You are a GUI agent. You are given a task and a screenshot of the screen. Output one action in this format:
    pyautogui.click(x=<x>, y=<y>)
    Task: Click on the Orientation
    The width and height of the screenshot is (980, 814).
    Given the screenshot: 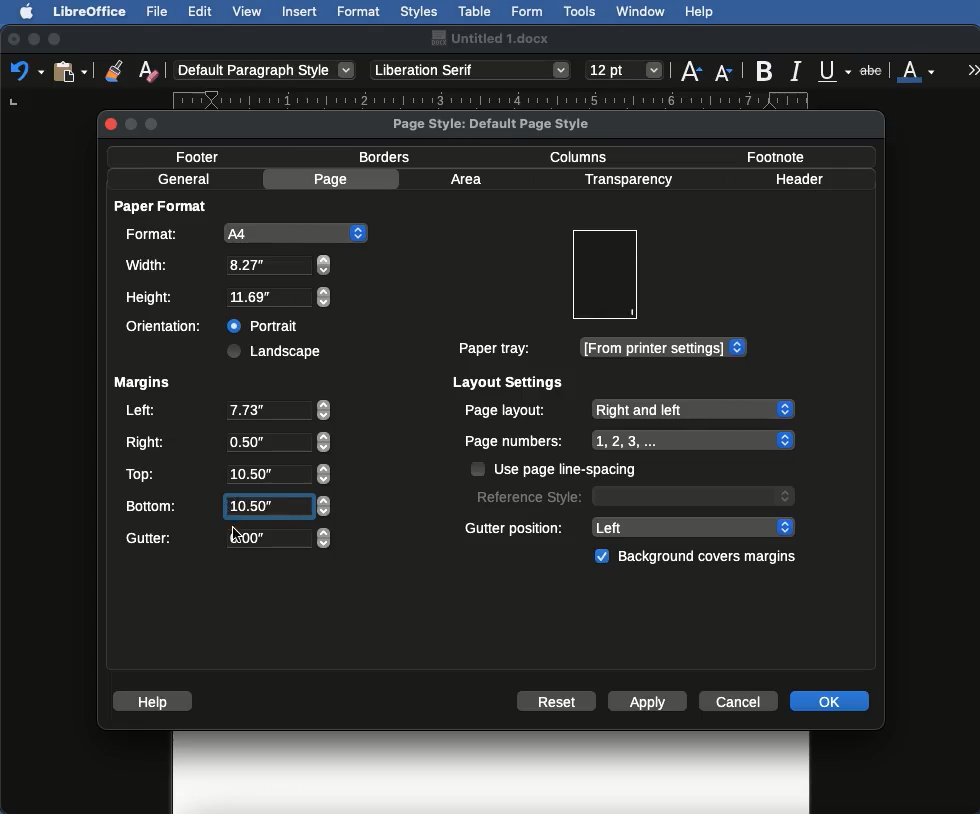 What is the action you would take?
    pyautogui.click(x=168, y=326)
    